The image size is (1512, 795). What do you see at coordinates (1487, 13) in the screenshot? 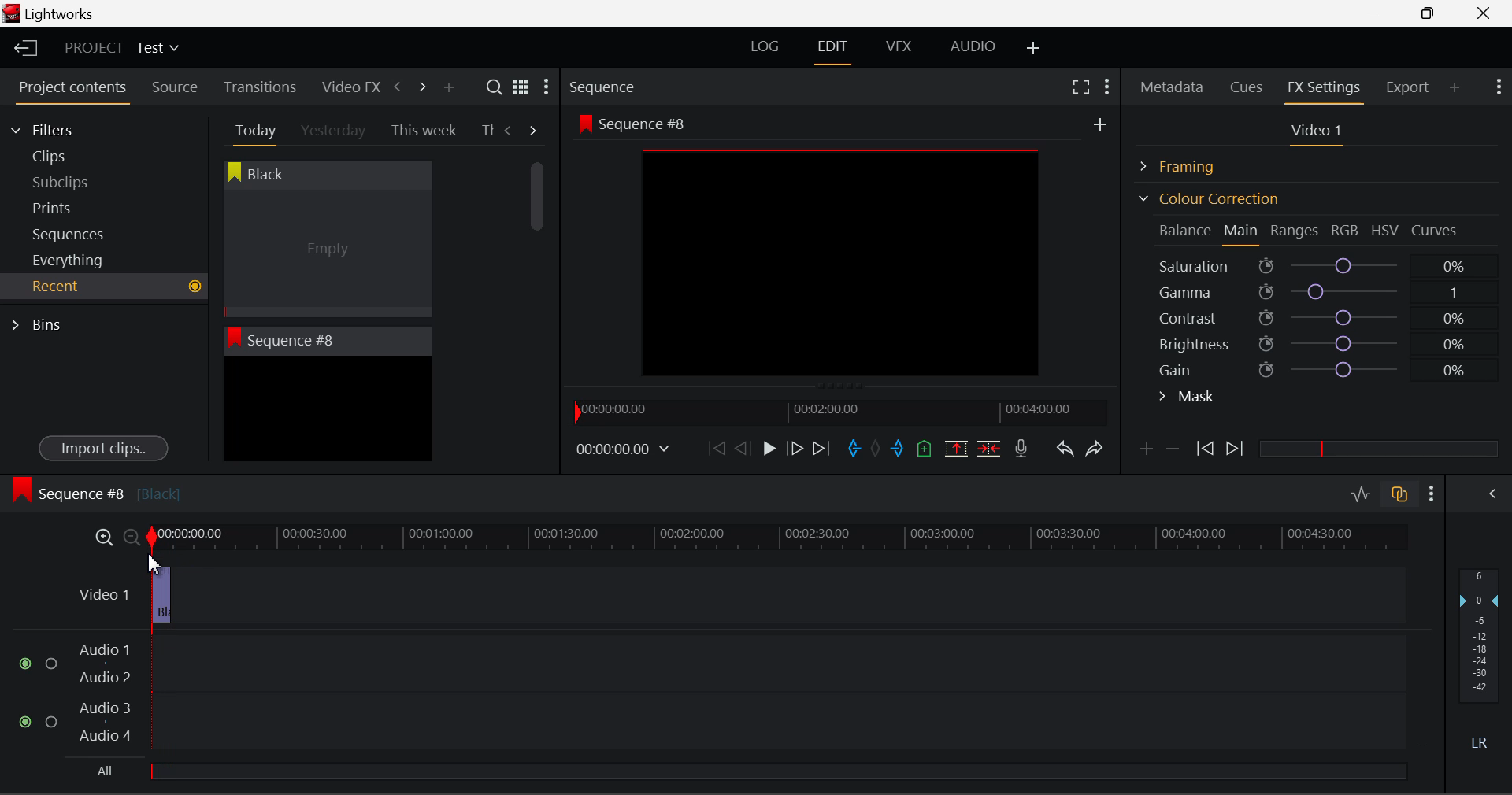
I see `Close` at bounding box center [1487, 13].